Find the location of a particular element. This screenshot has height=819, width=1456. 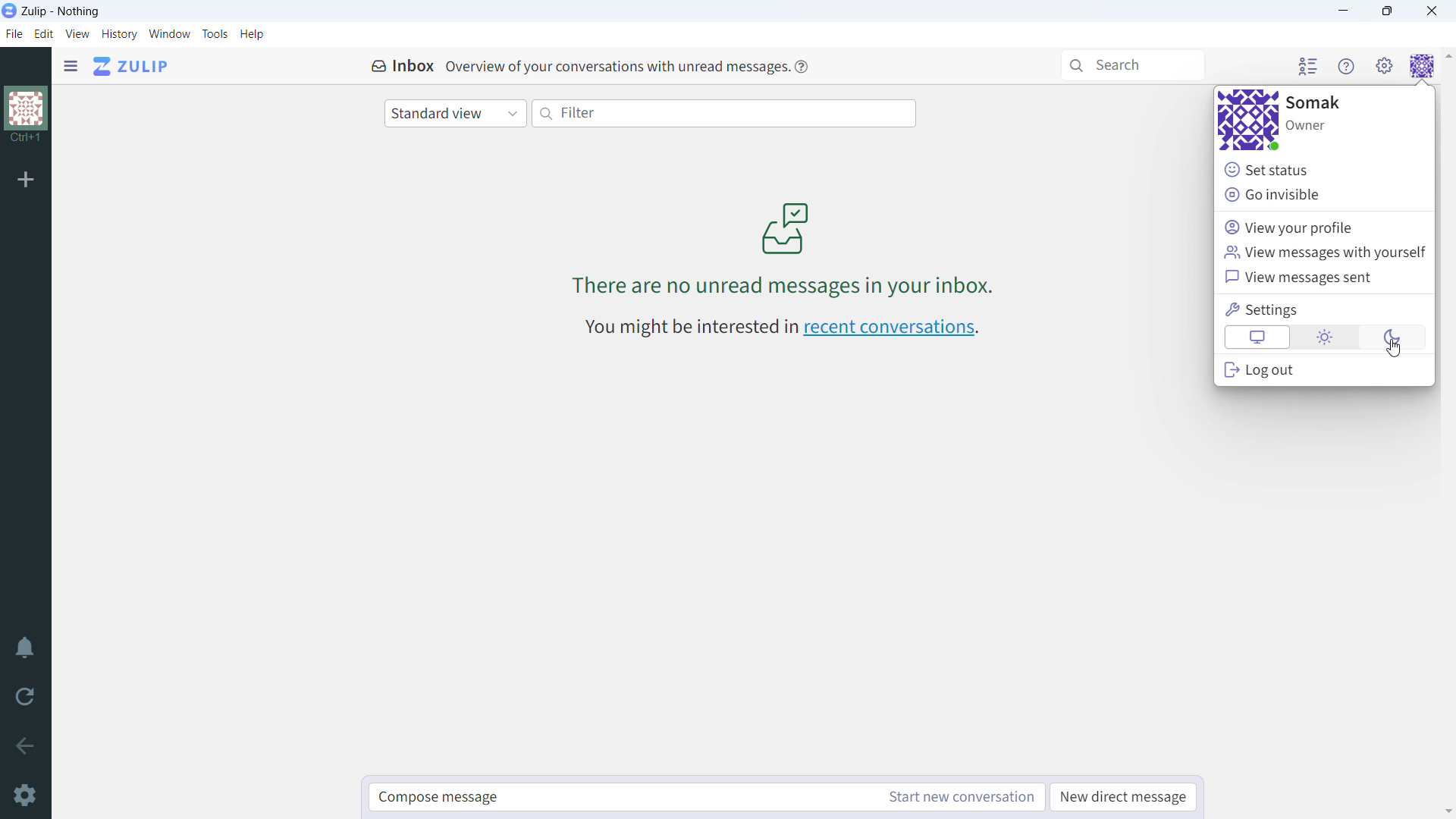

compose message is located at coordinates (617, 798).